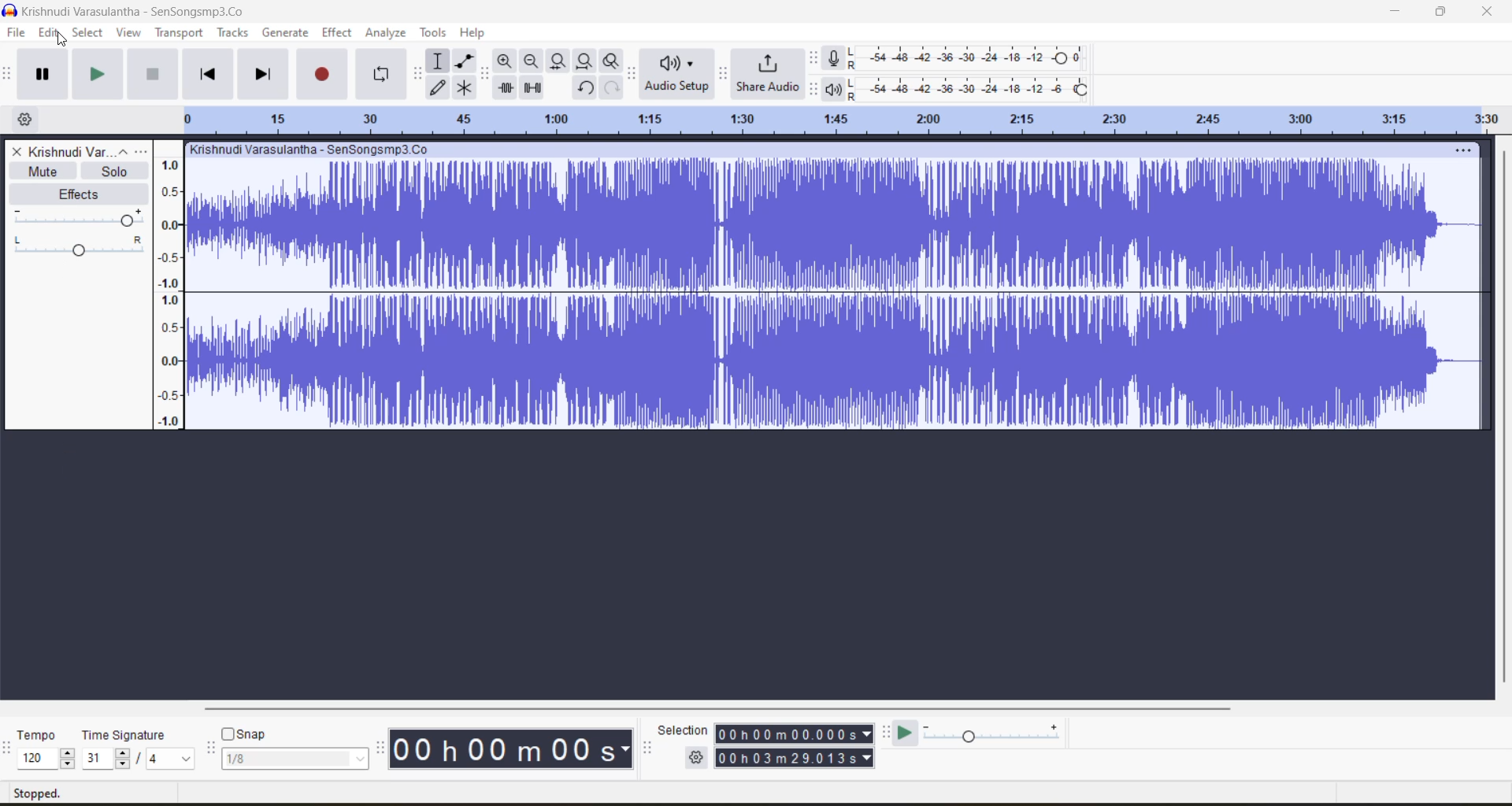 Image resolution: width=1512 pixels, height=806 pixels. I want to click on fit selection to width, so click(557, 61).